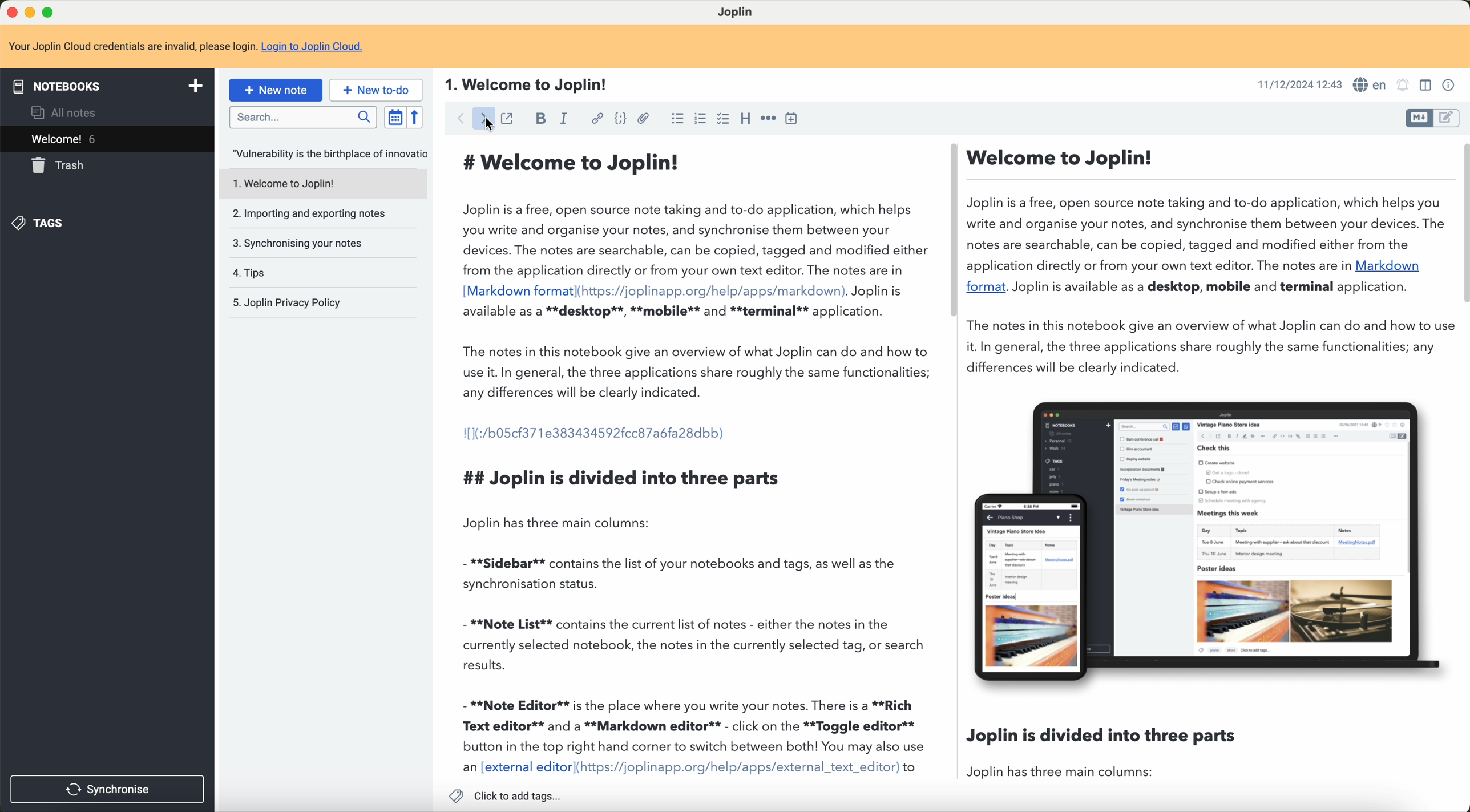 Image resolution: width=1470 pixels, height=812 pixels. What do you see at coordinates (952, 238) in the screenshot?
I see `scroll bar` at bounding box center [952, 238].